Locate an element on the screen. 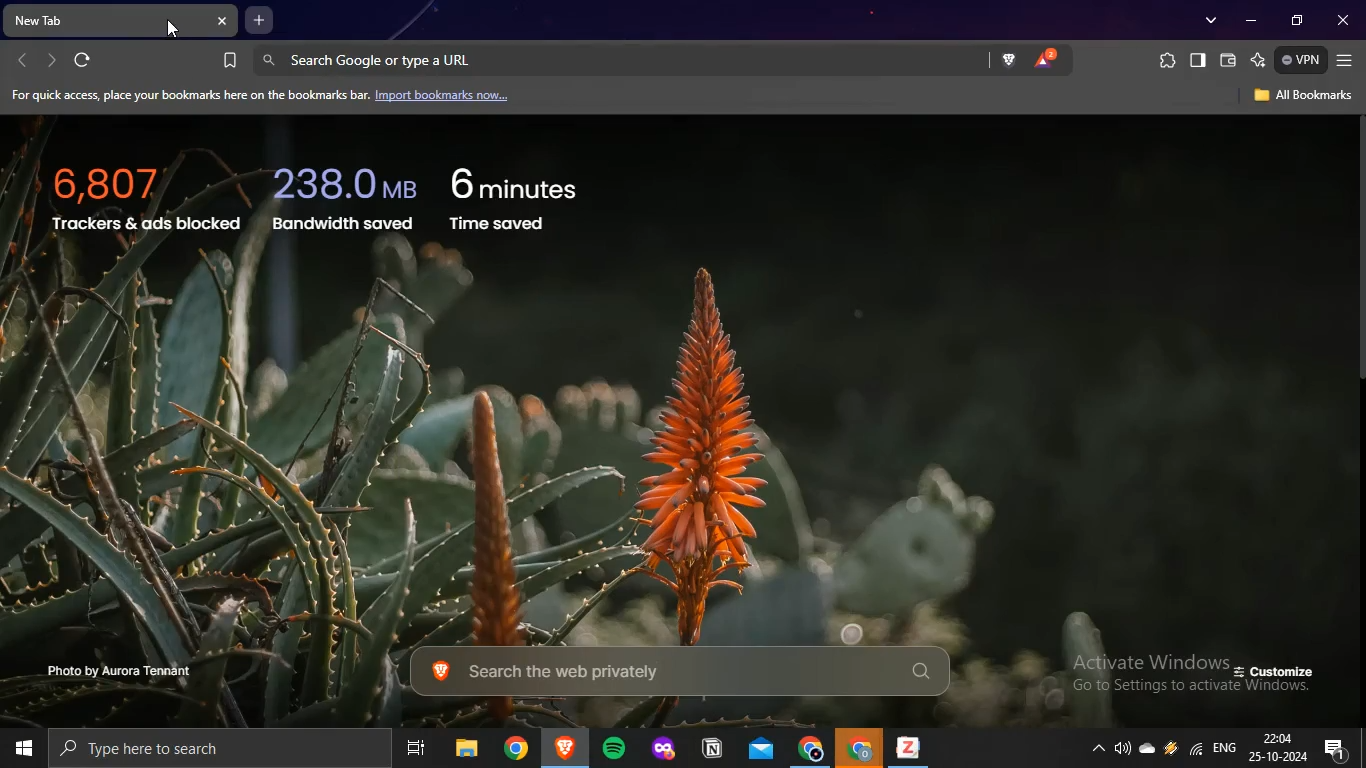 The image size is (1366, 768). spotify is located at coordinates (614, 748).